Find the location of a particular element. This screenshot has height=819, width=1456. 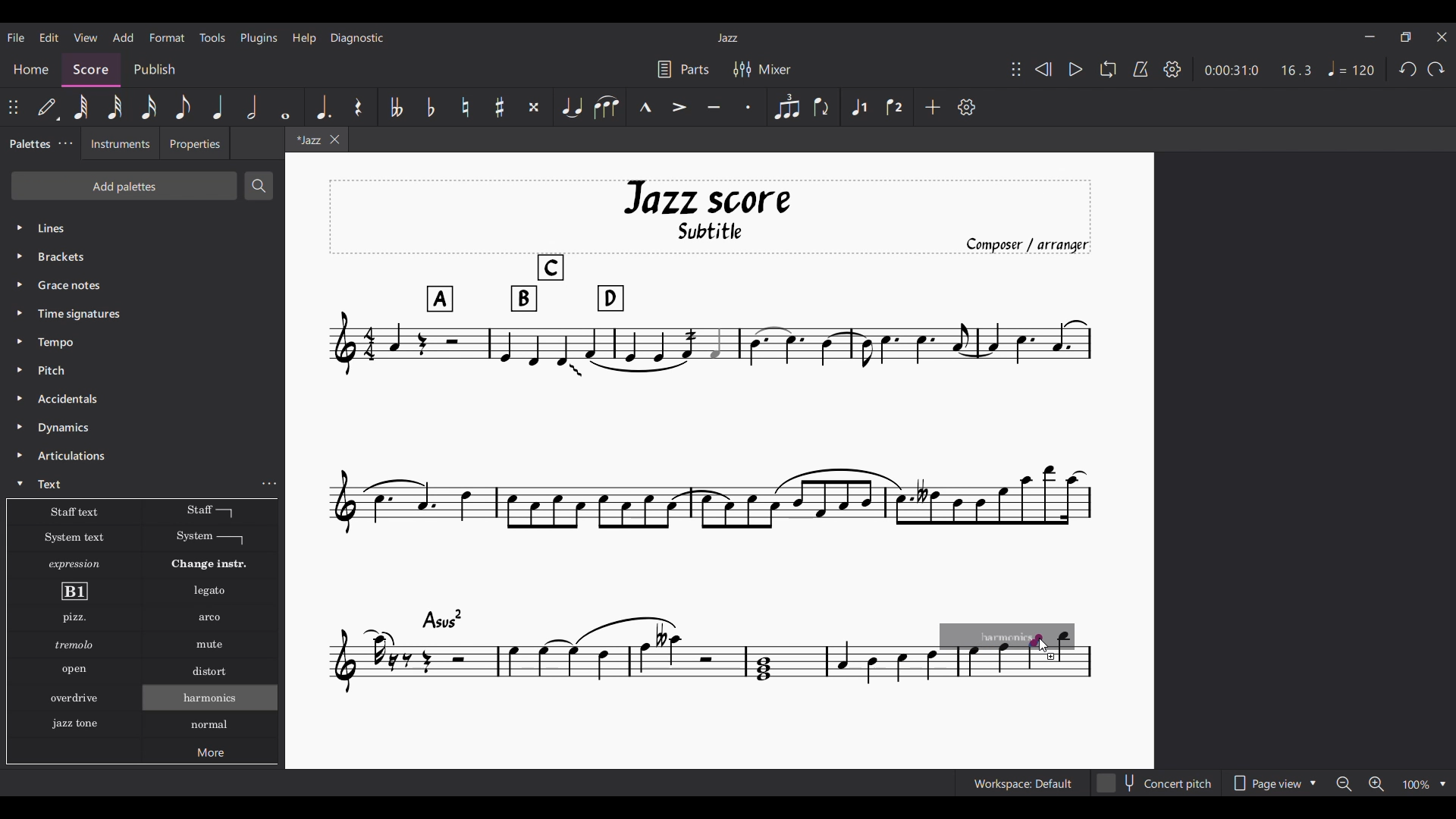

Show in smaller tab is located at coordinates (1405, 37).